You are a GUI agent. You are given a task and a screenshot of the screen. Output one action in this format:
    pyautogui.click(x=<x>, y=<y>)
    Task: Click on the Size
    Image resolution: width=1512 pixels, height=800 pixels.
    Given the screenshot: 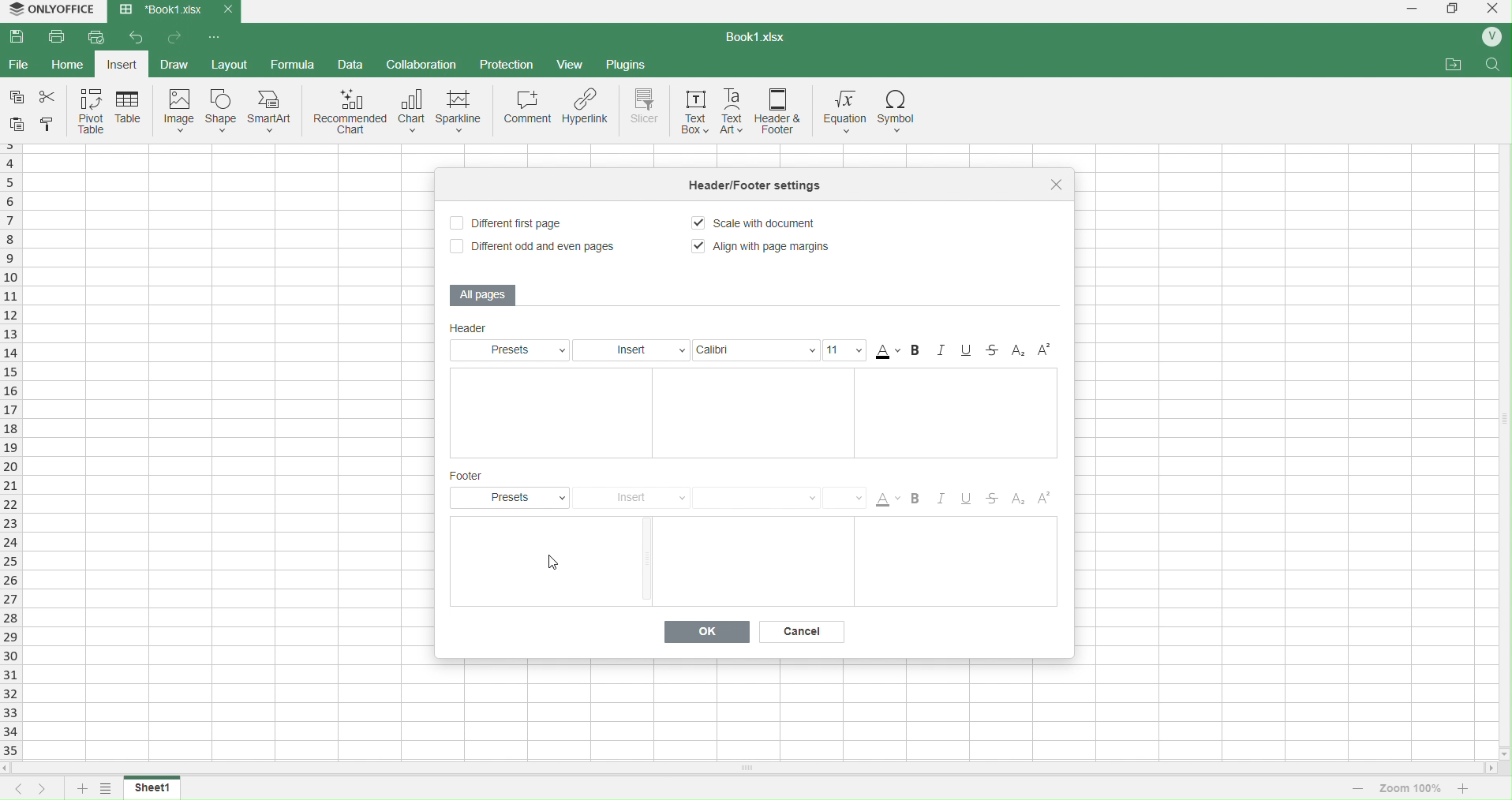 What is the action you would take?
    pyautogui.click(x=845, y=350)
    